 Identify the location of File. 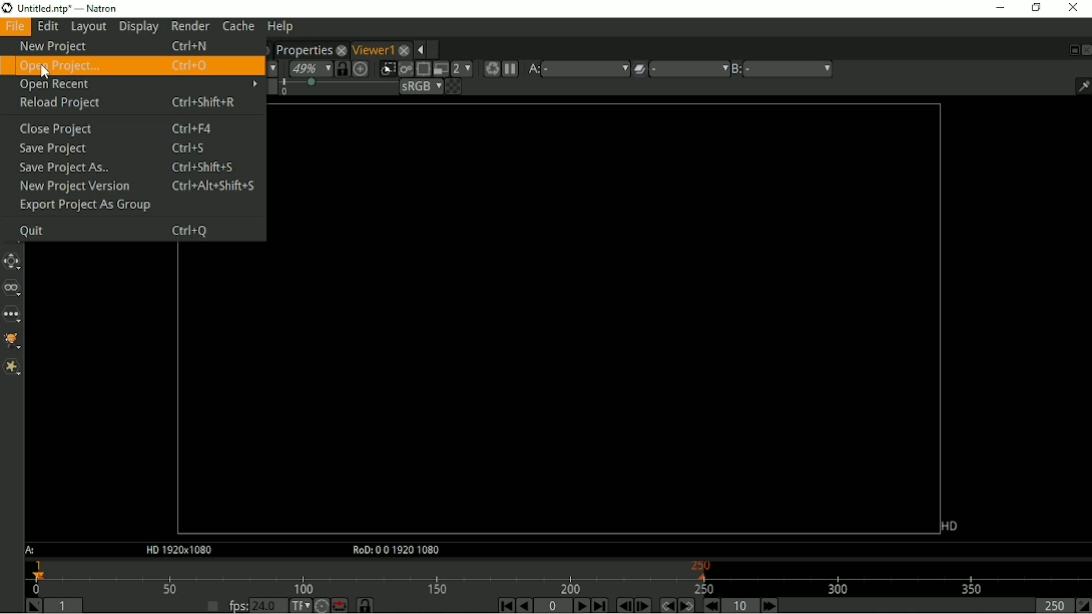
(15, 27).